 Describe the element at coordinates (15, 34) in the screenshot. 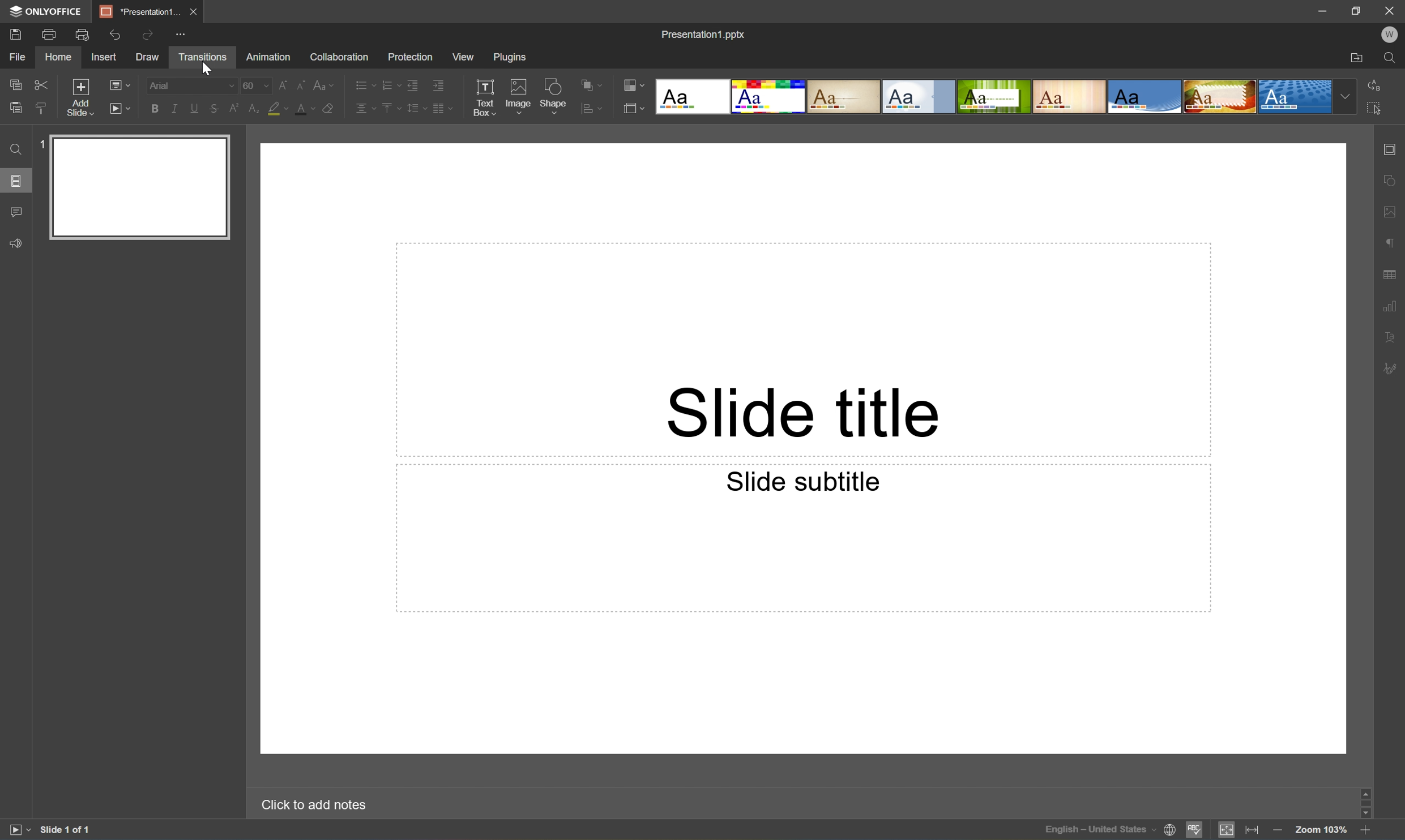

I see `Save` at that location.